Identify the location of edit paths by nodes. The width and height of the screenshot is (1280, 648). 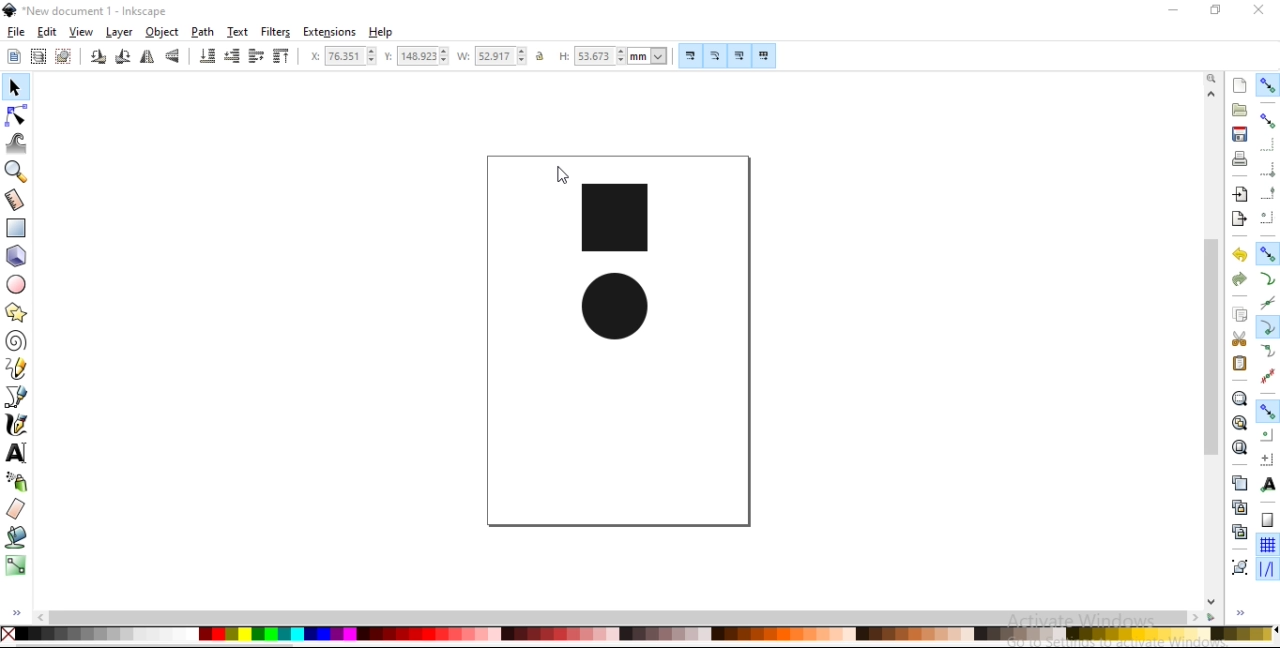
(19, 116).